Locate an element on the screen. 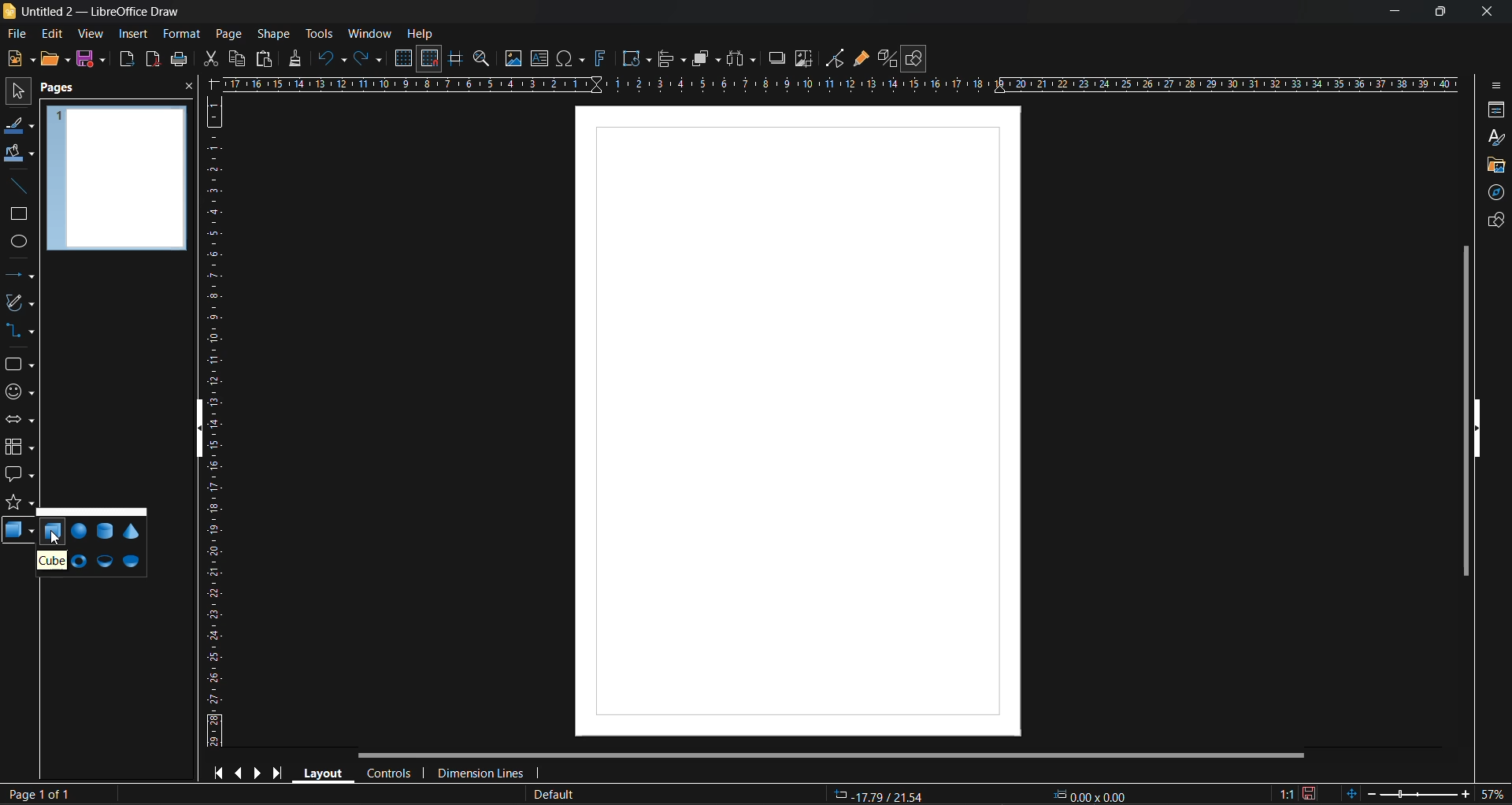  view is located at coordinates (92, 35).